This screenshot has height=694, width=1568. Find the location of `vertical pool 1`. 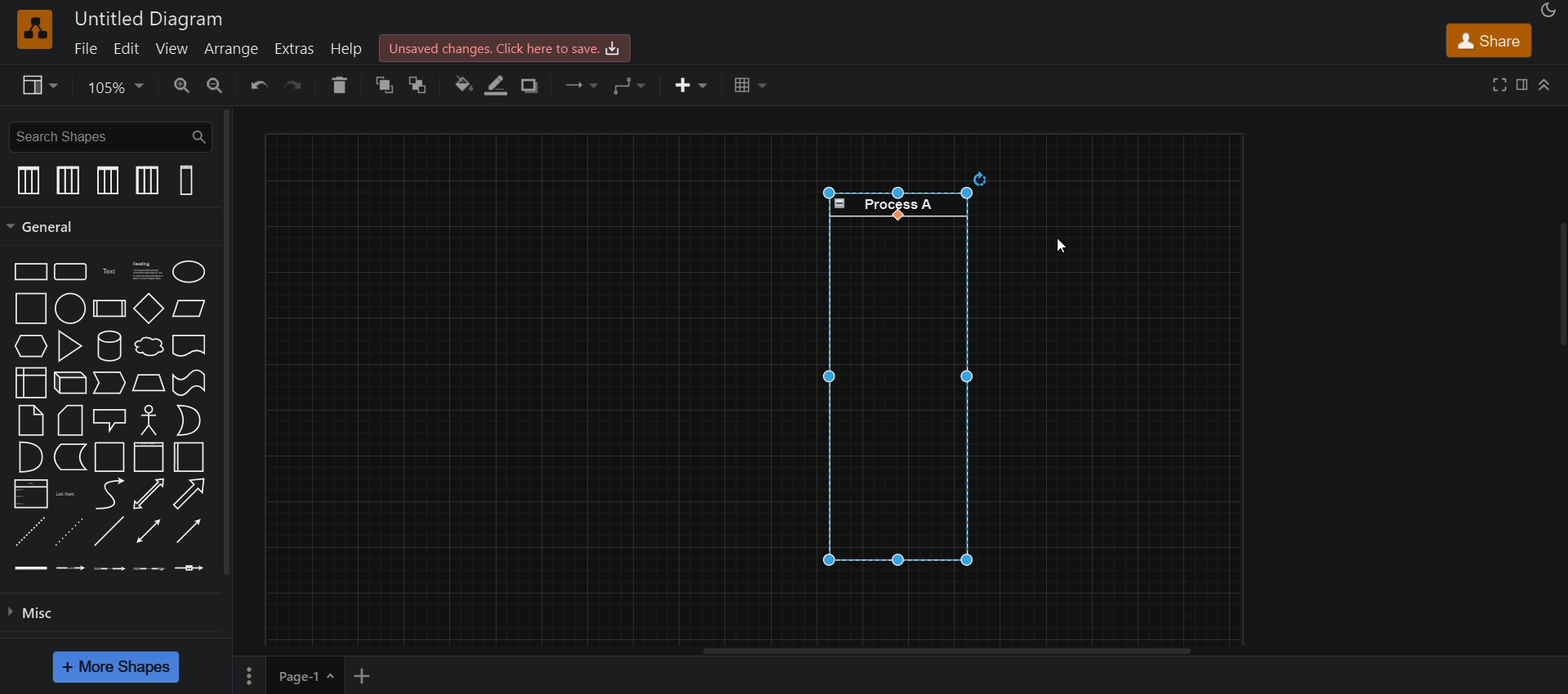

vertical pool 1 is located at coordinates (109, 180).